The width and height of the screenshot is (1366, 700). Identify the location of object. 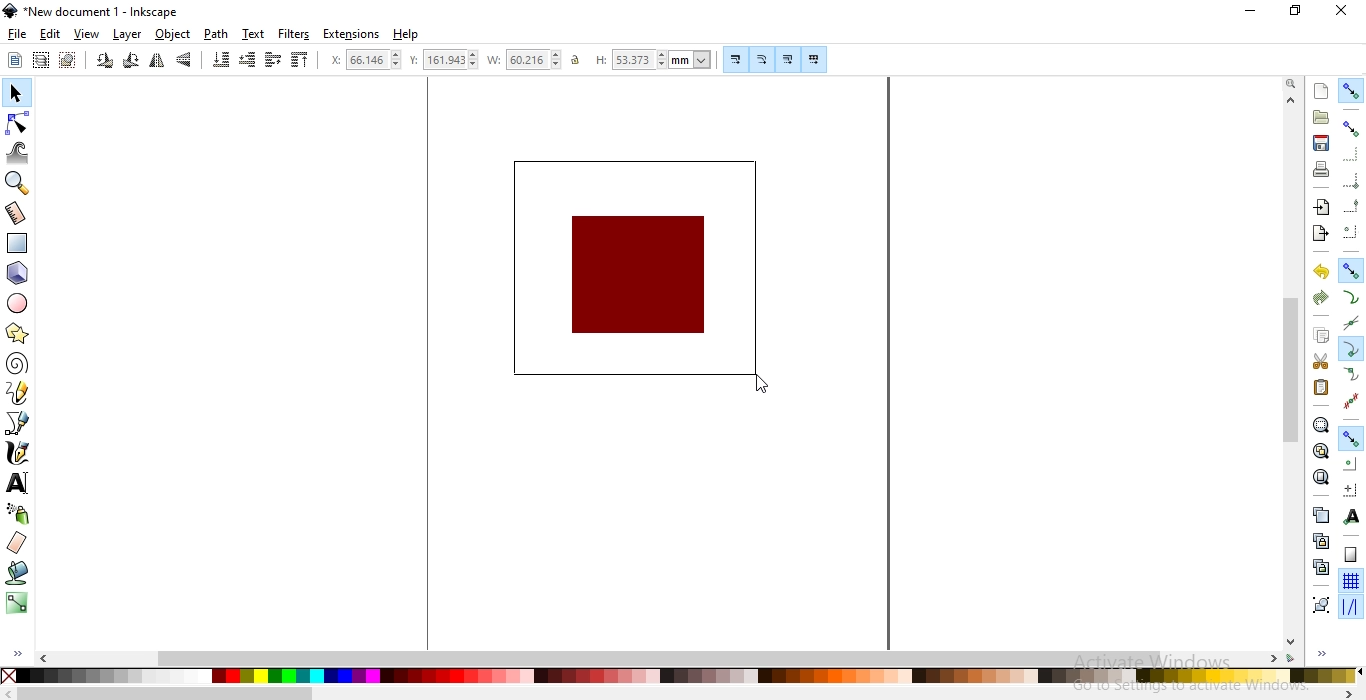
(174, 35).